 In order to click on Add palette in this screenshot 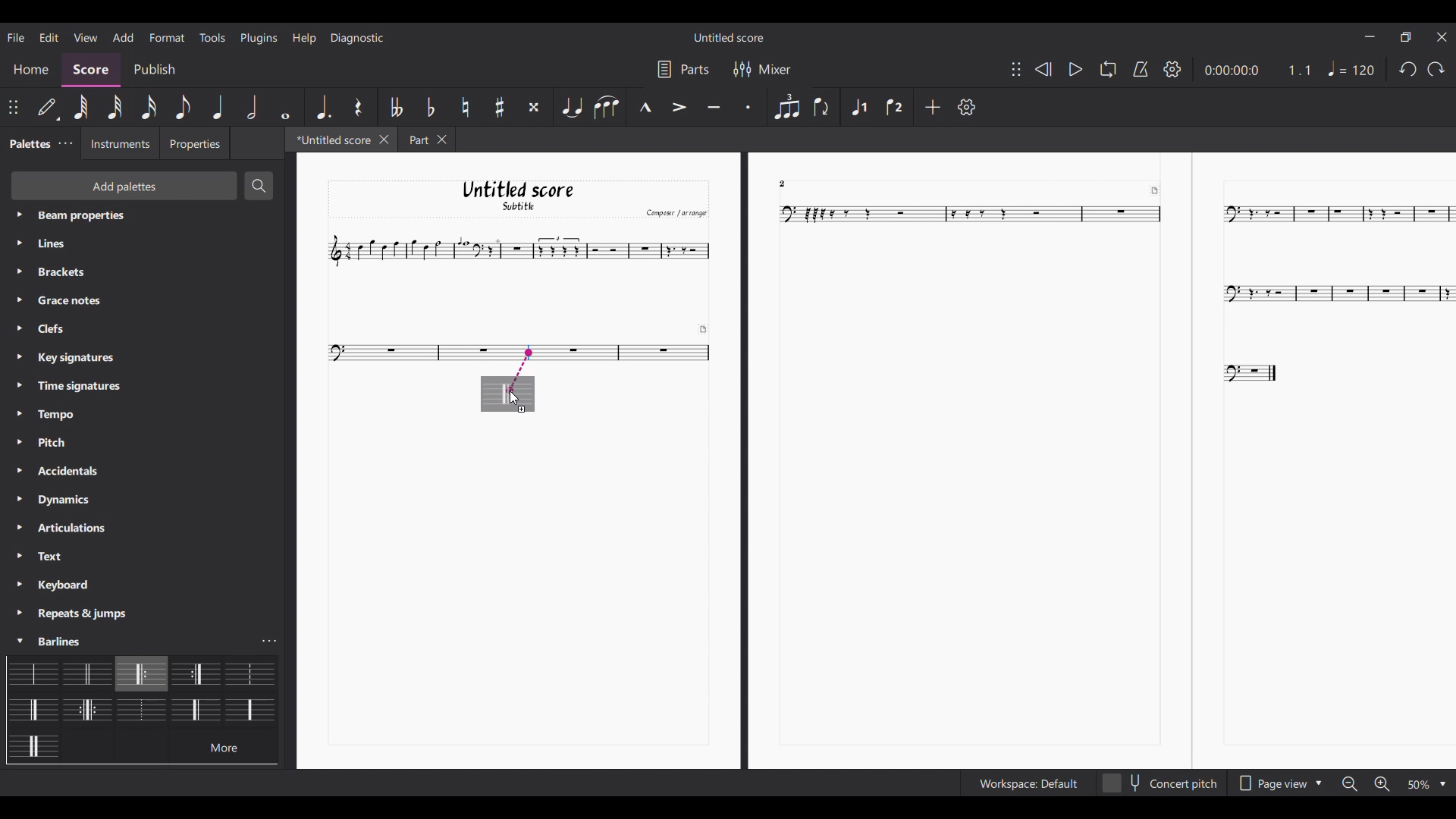, I will do `click(126, 185)`.